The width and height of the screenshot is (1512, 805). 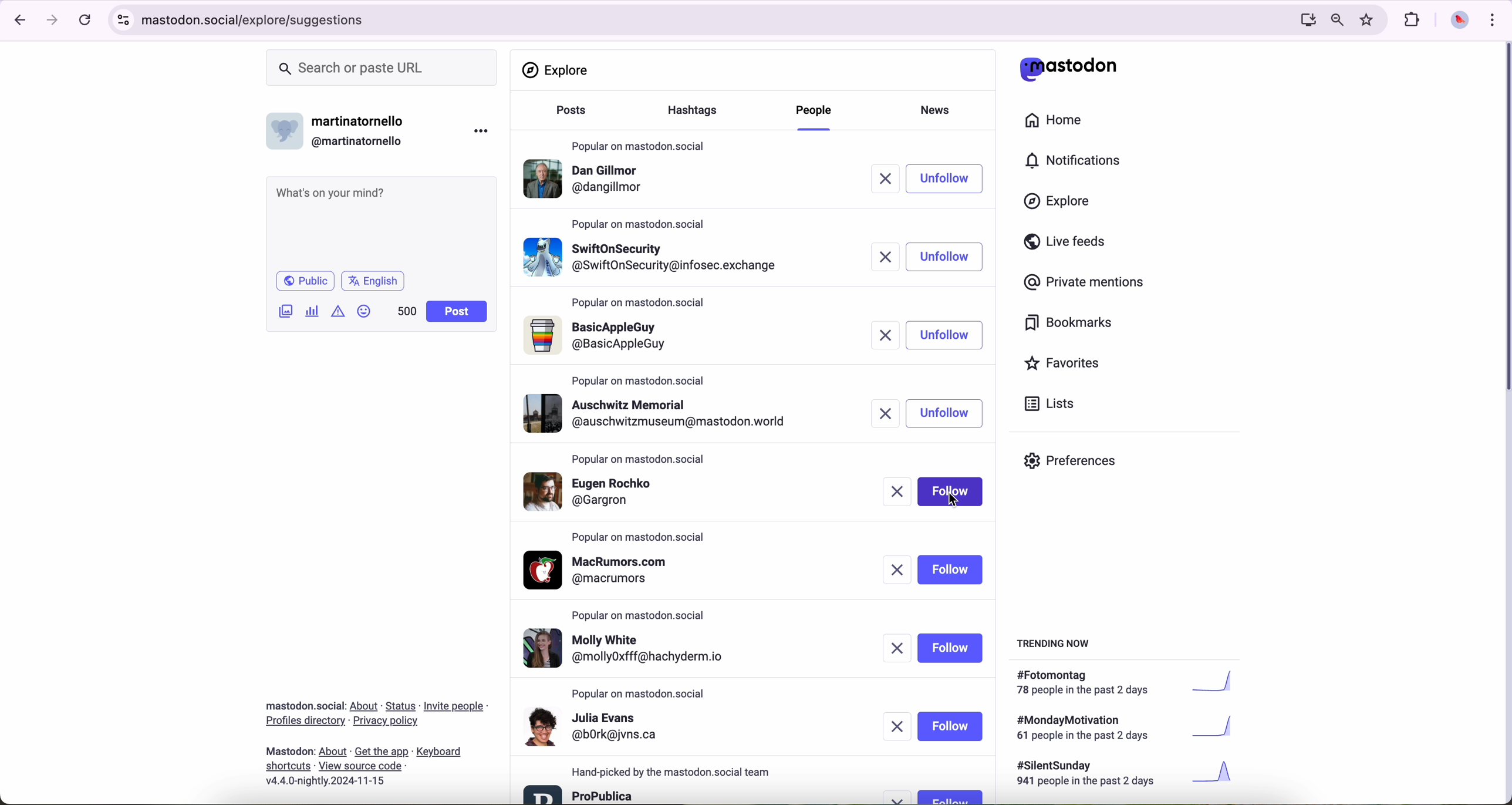 I want to click on remove, so click(x=900, y=797).